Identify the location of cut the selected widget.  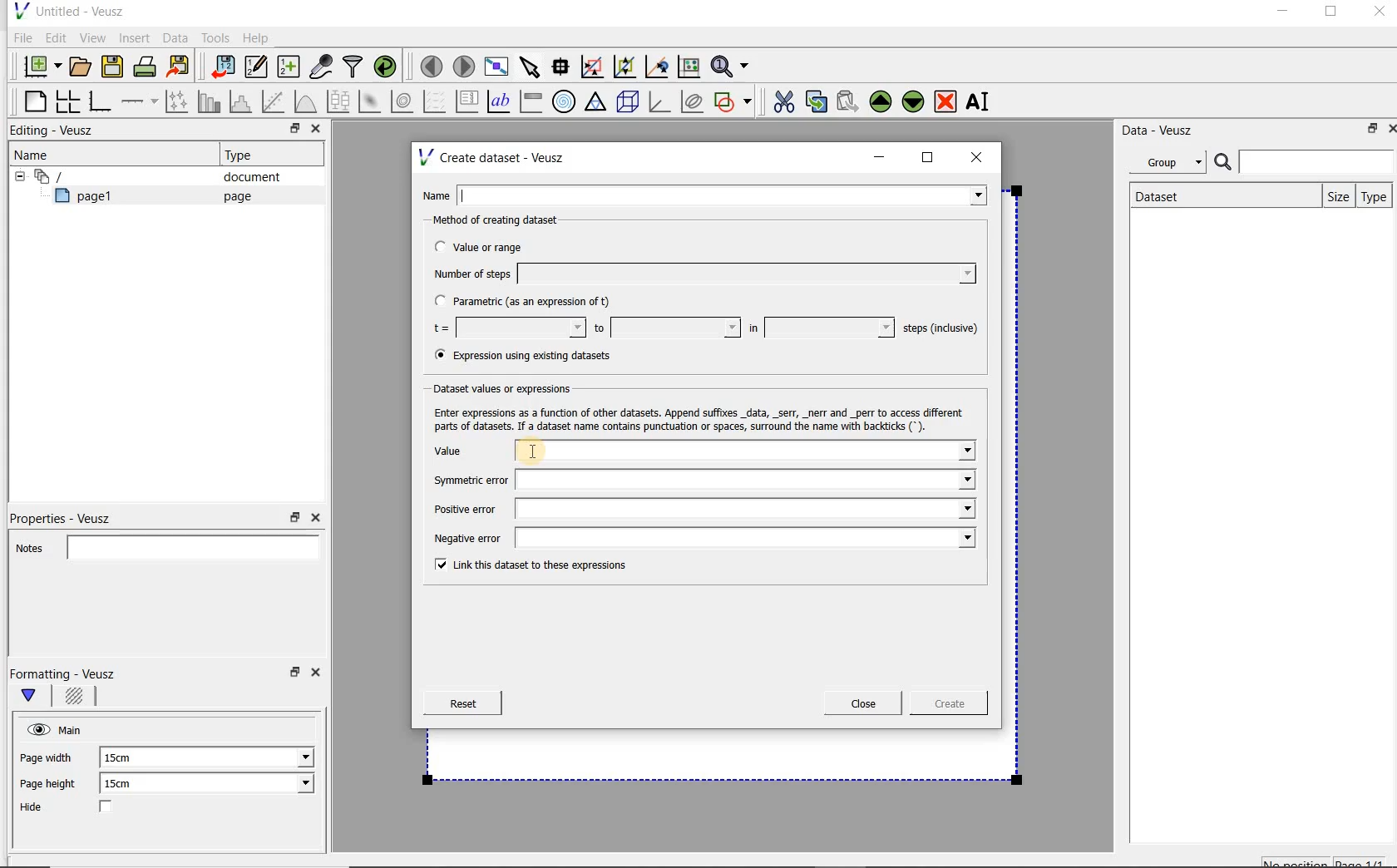
(781, 100).